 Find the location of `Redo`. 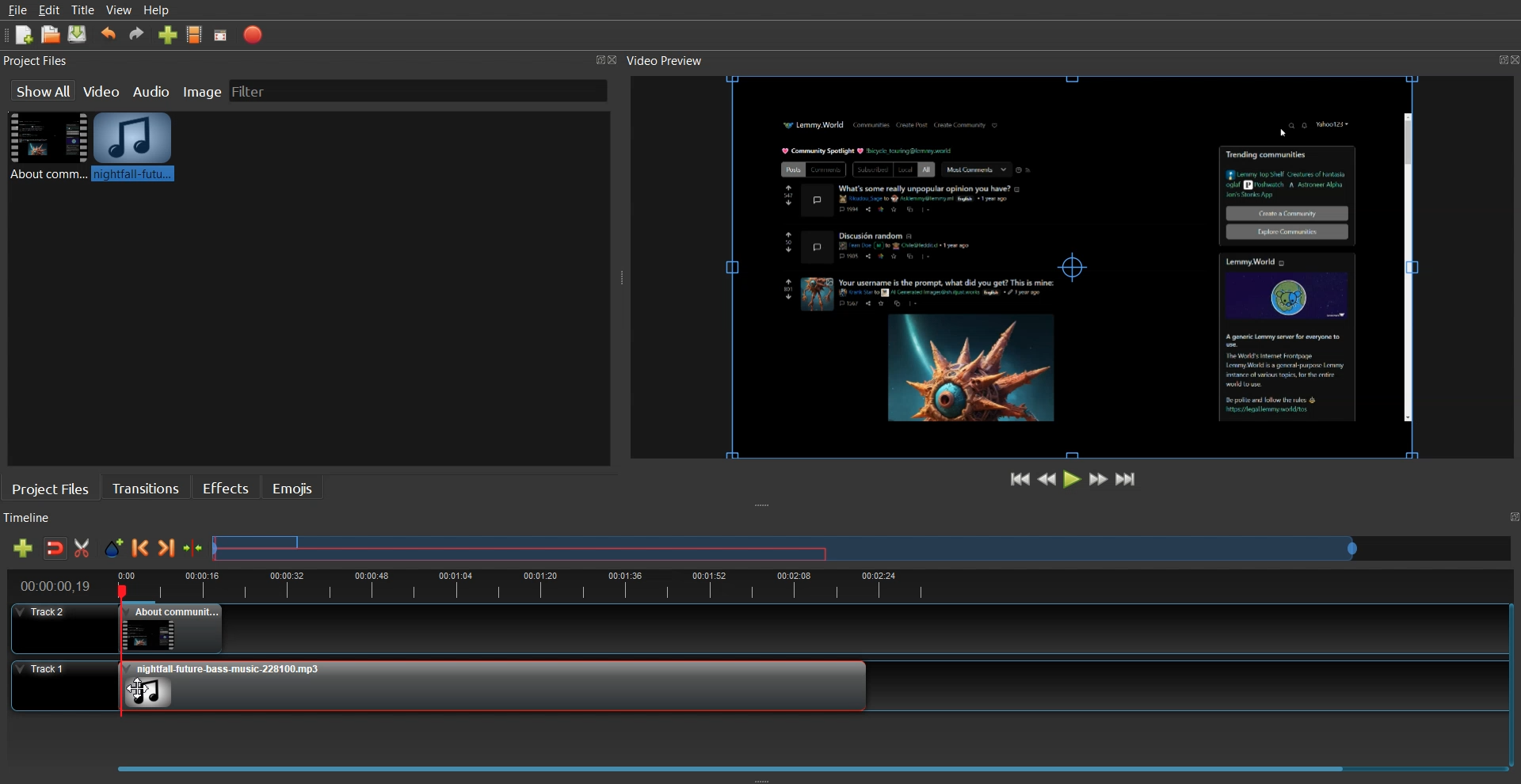

Redo is located at coordinates (137, 33).